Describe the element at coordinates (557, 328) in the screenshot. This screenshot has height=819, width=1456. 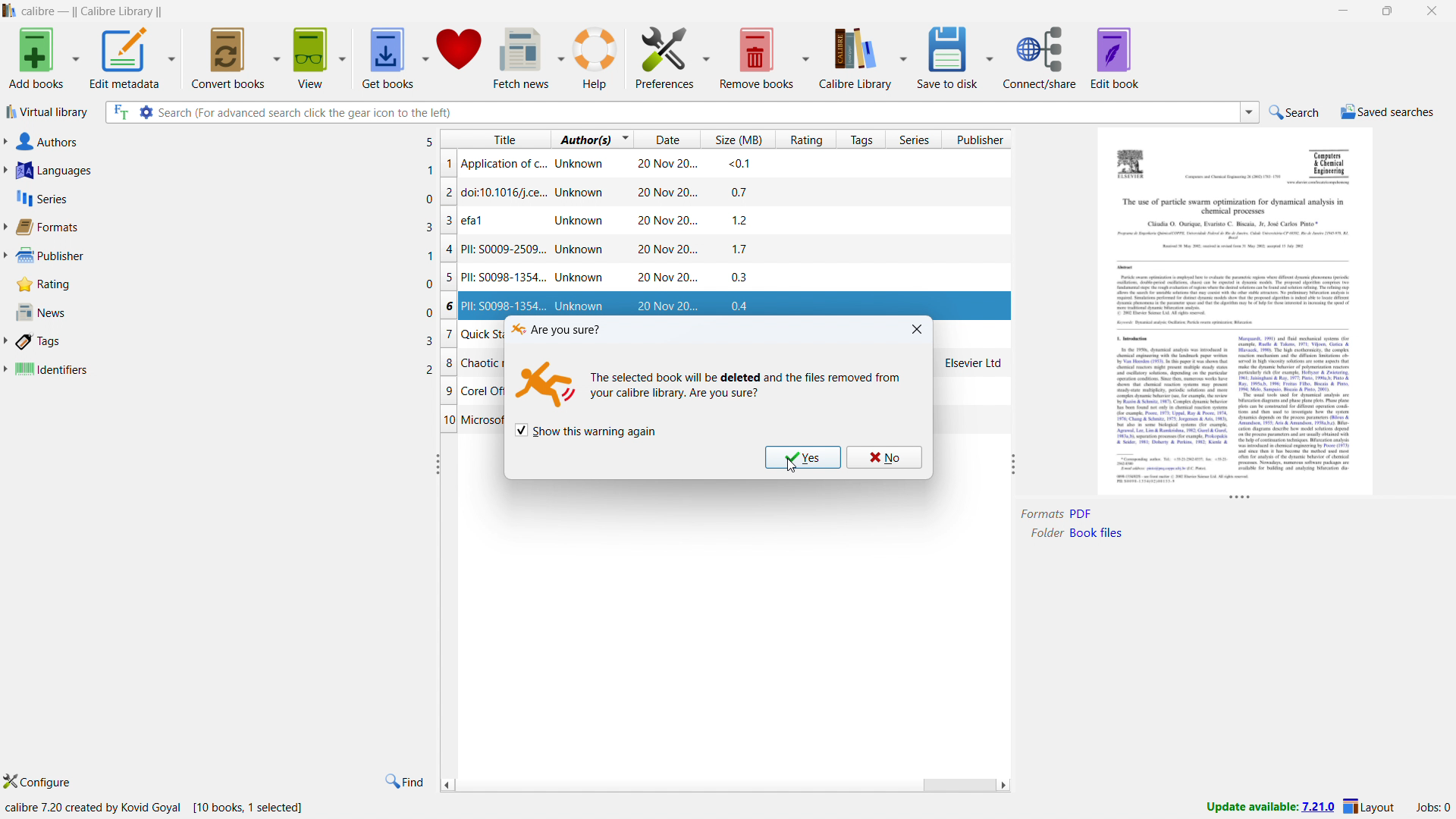
I see `Are you Sure?` at that location.